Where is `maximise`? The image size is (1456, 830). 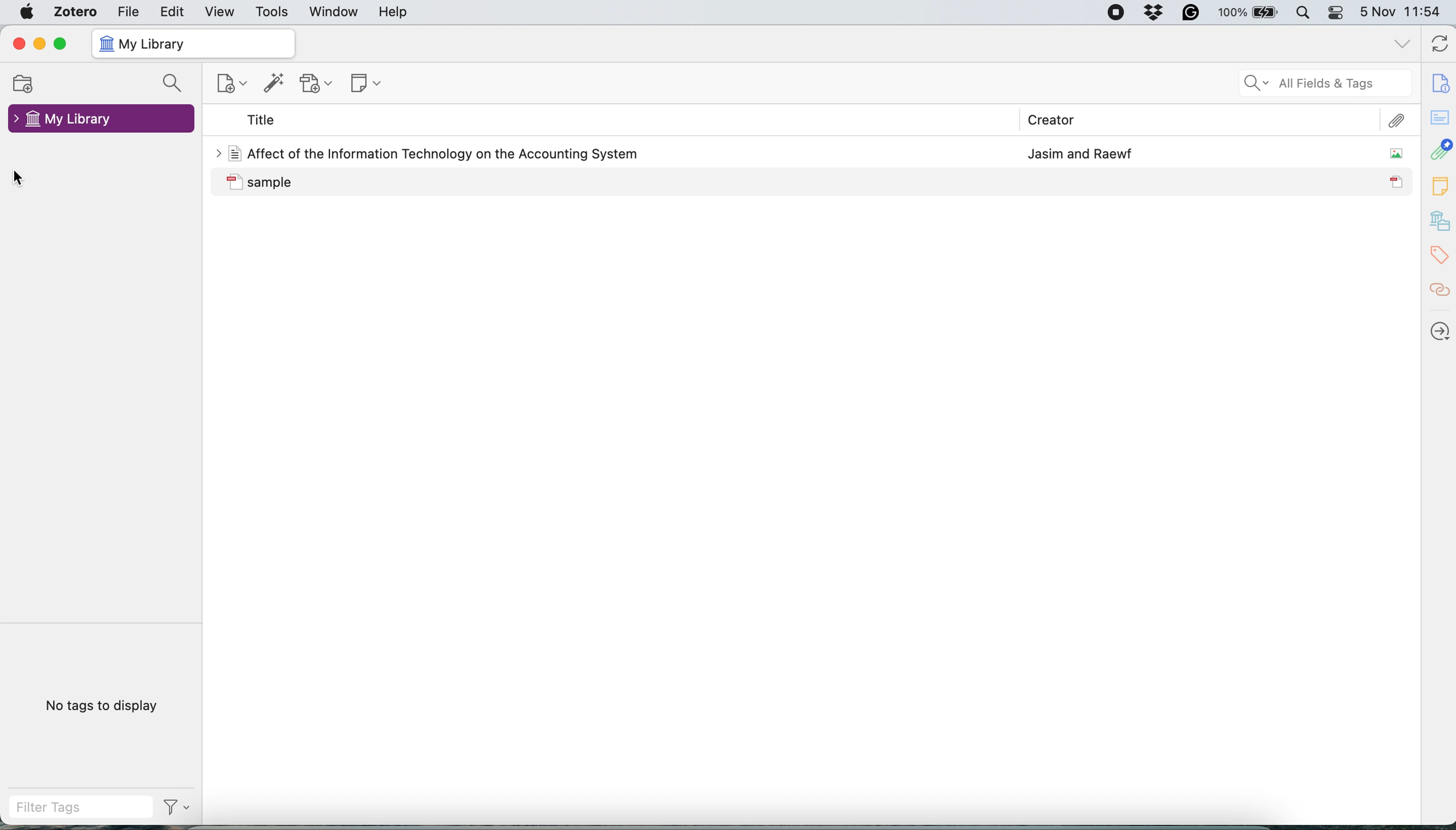 maximise is located at coordinates (59, 45).